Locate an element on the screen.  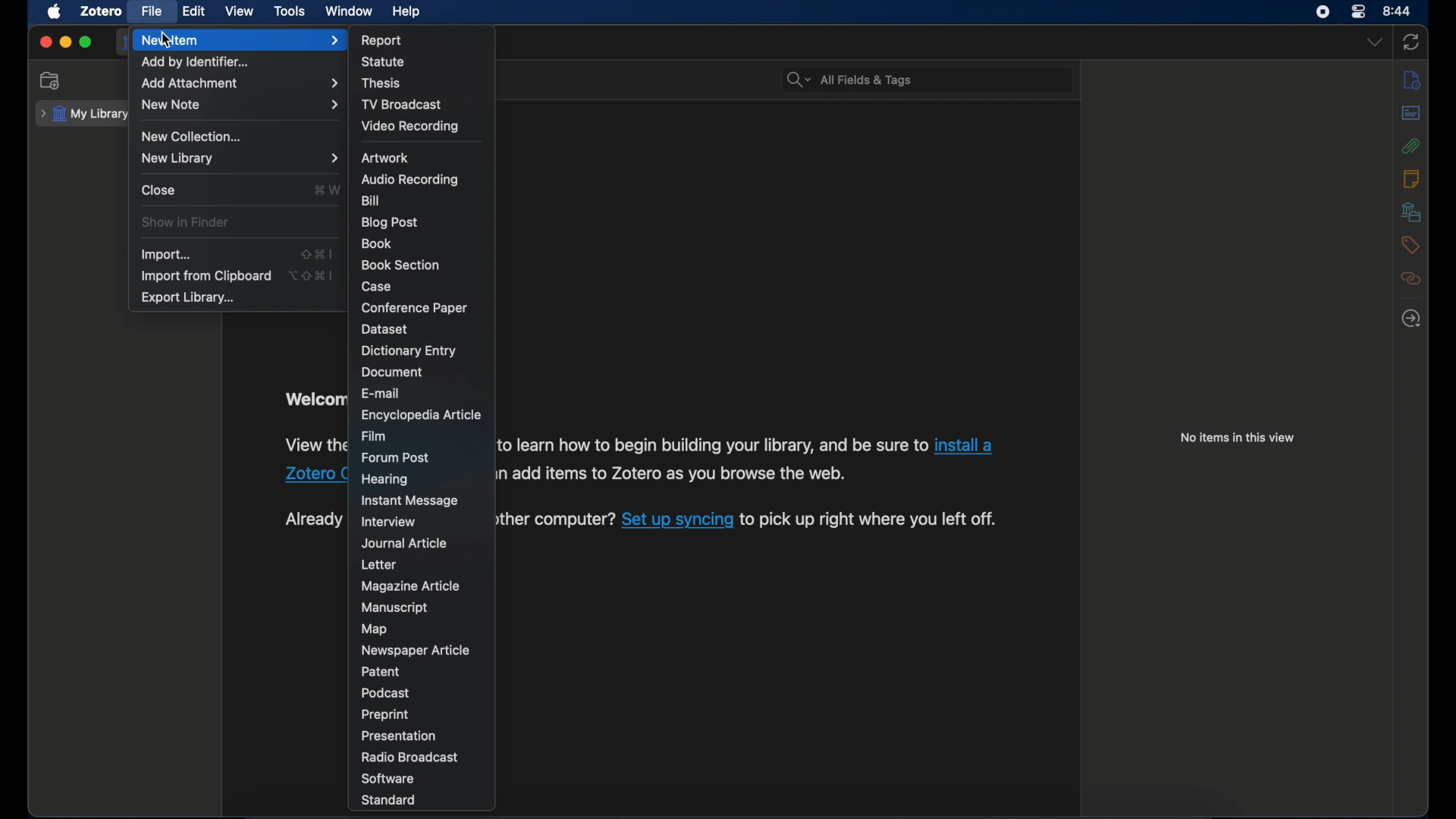
journal article is located at coordinates (404, 543).